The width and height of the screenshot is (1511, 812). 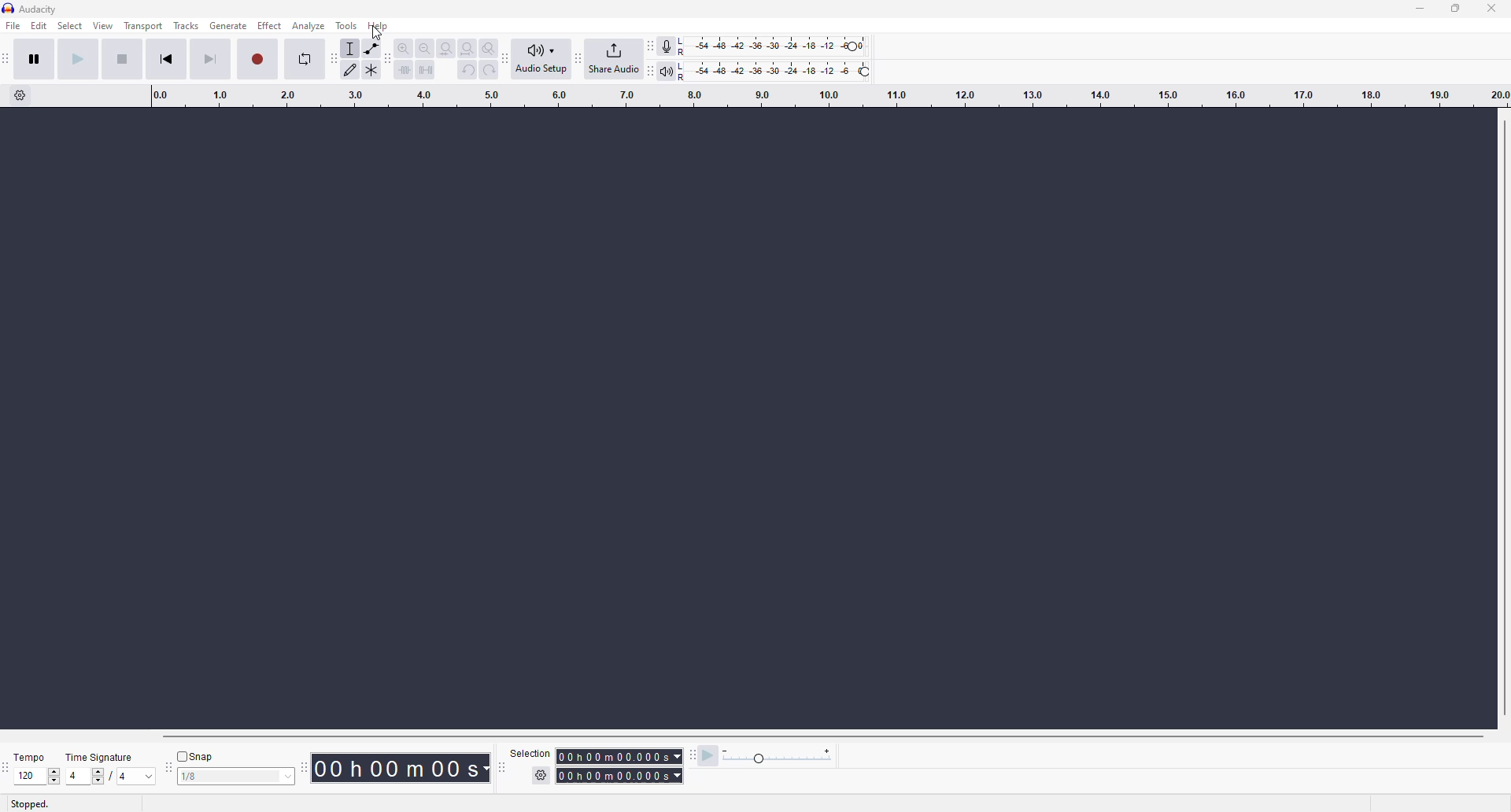 What do you see at coordinates (289, 776) in the screenshot?
I see `drop down` at bounding box center [289, 776].